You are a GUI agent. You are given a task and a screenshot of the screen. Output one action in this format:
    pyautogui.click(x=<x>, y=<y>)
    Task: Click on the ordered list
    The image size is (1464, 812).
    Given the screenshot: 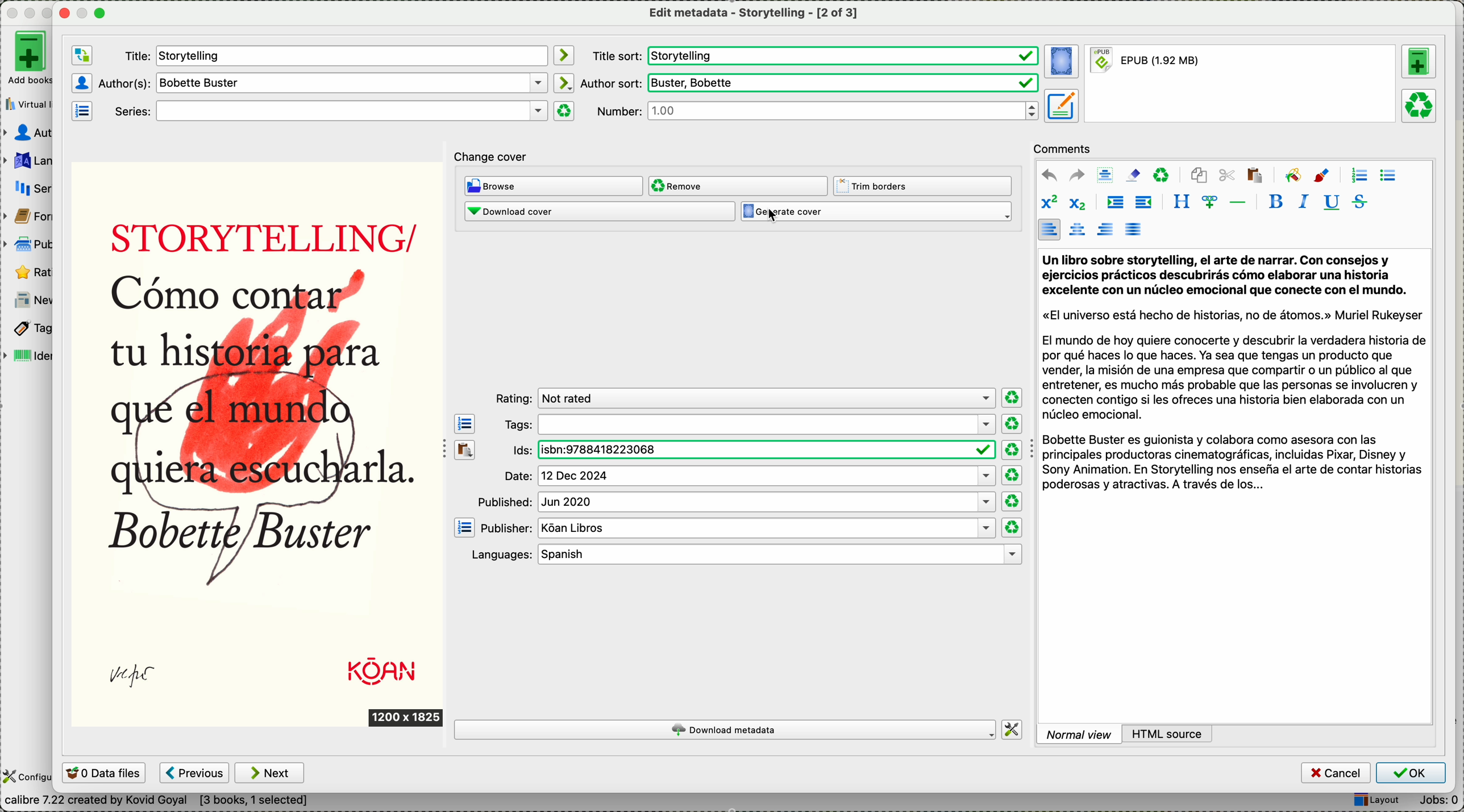 What is the action you would take?
    pyautogui.click(x=1358, y=175)
    